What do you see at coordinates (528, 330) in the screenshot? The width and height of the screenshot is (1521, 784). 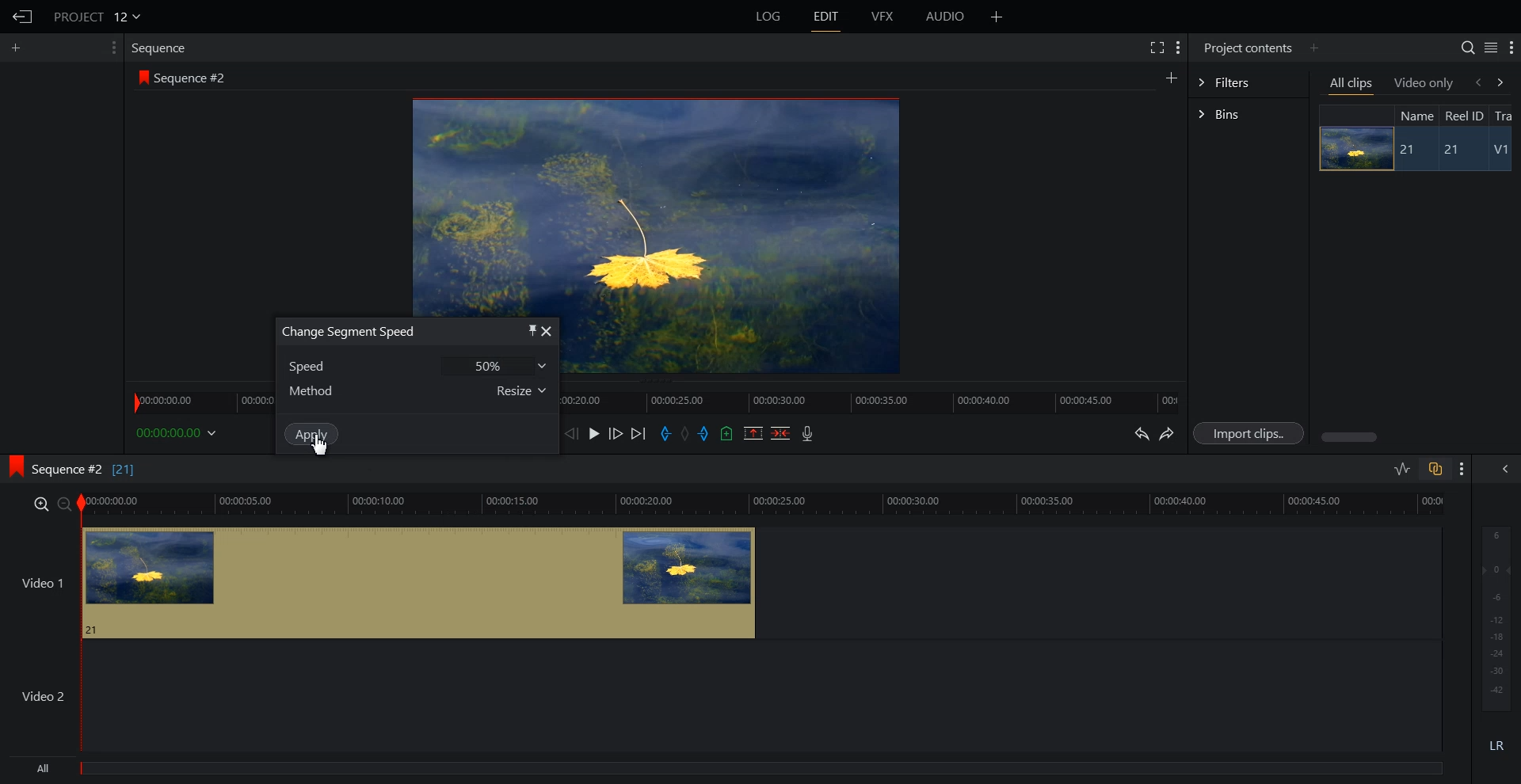 I see `pin` at bounding box center [528, 330].